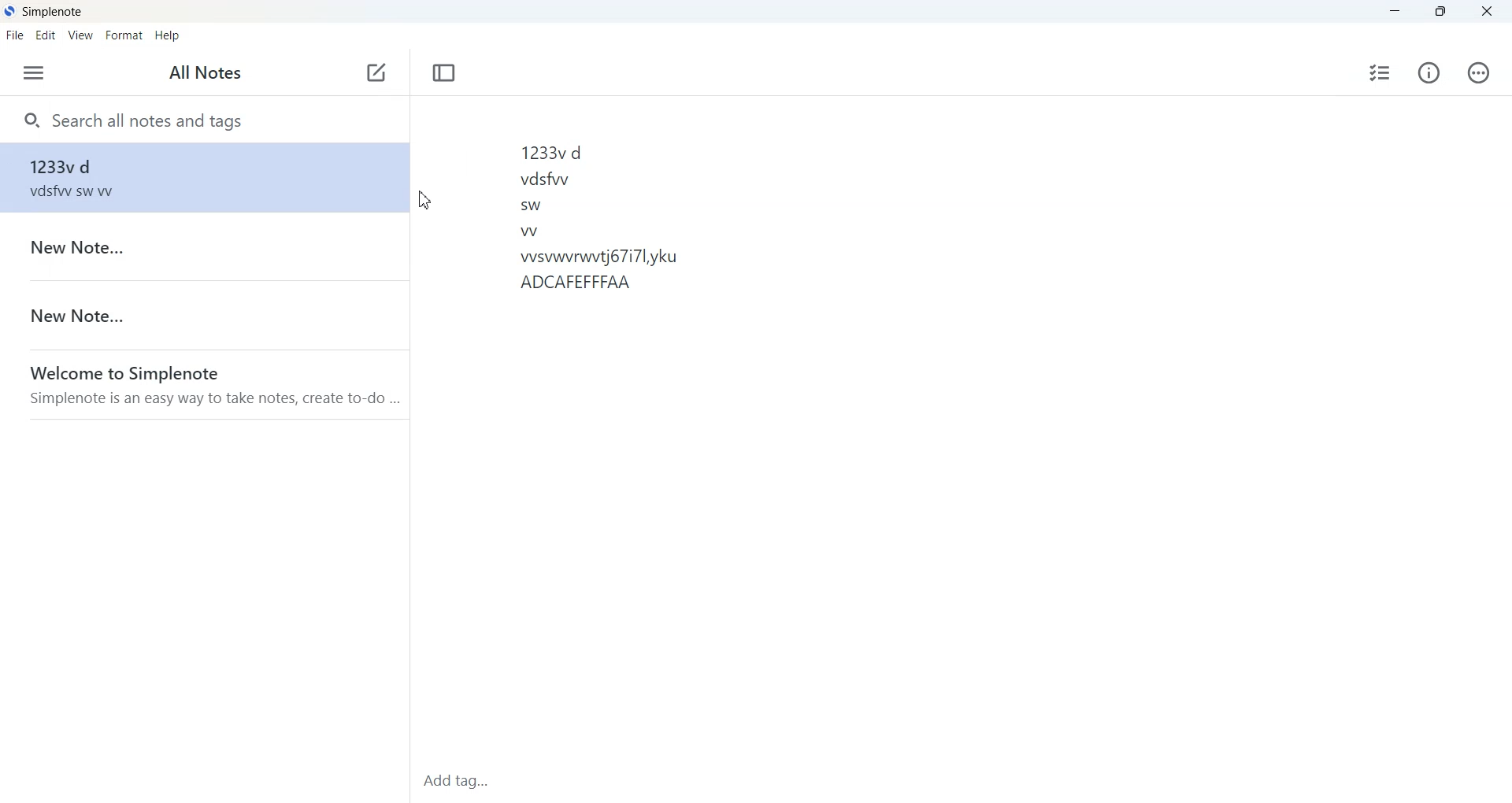 This screenshot has width=1512, height=803. Describe the element at coordinates (166, 35) in the screenshot. I see `Help` at that location.